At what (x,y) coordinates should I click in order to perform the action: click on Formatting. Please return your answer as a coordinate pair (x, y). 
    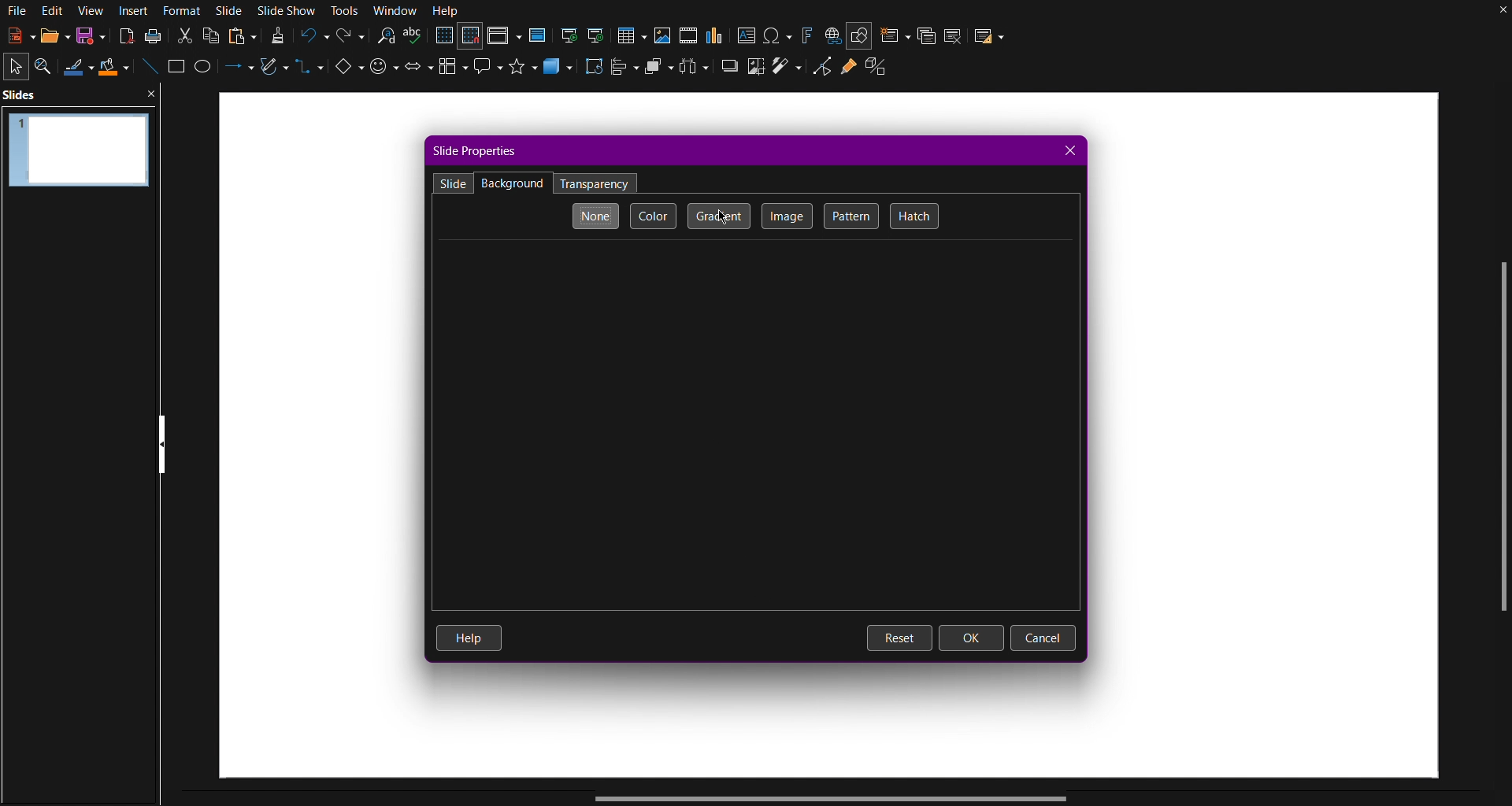
    Looking at the image, I should click on (277, 35).